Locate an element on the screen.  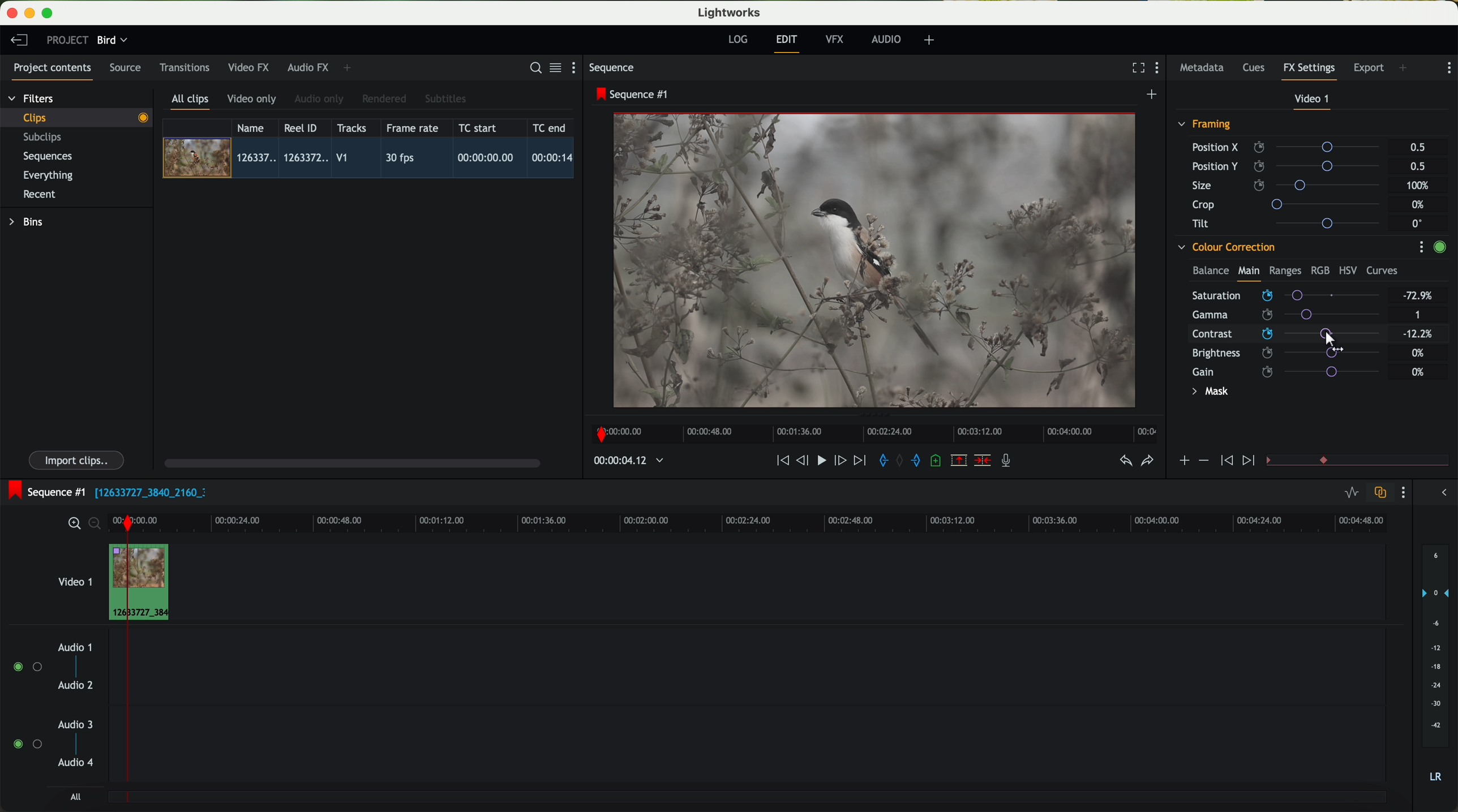
sequence is located at coordinates (612, 68).